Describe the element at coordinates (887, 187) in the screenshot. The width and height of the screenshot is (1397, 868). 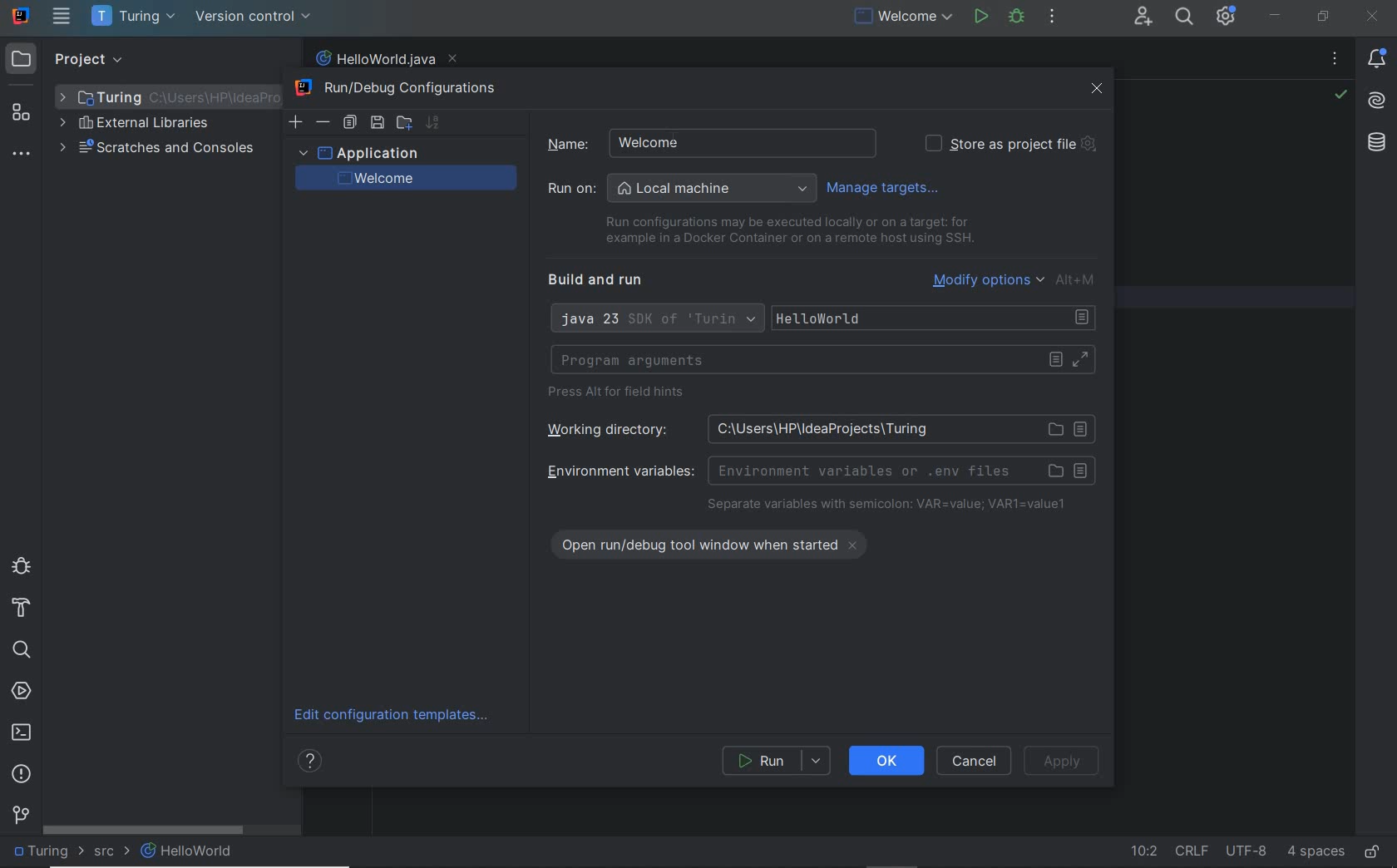
I see `manage targets` at that location.